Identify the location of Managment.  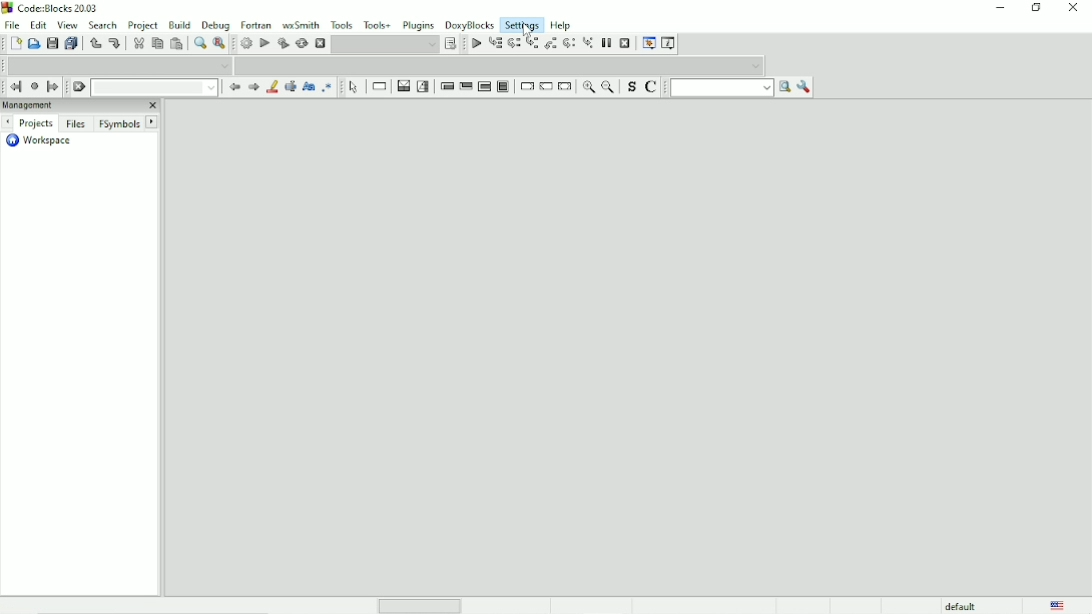
(57, 105).